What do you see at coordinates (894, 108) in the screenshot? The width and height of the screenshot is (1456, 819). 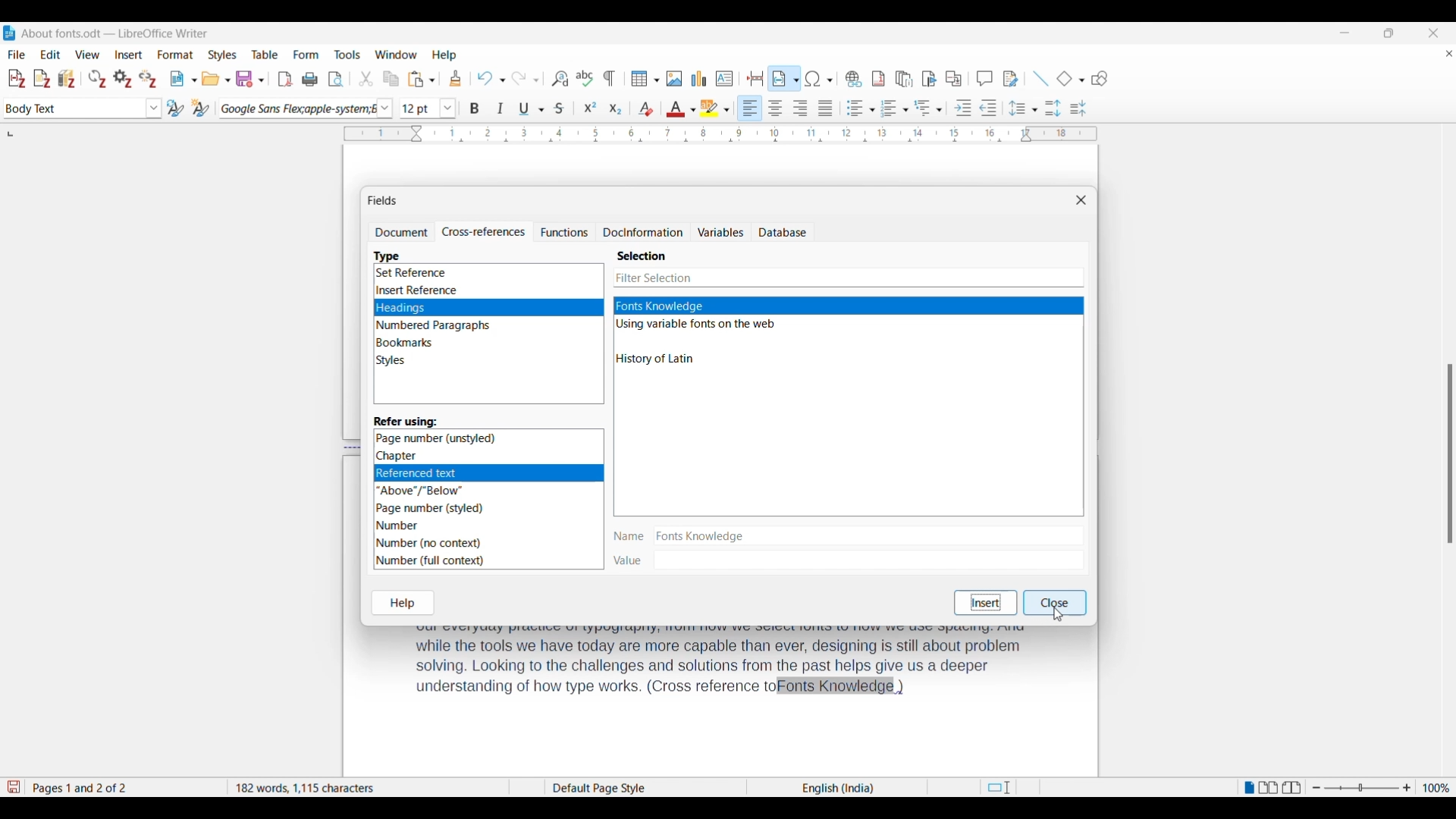 I see `Toggle ordered list` at bounding box center [894, 108].